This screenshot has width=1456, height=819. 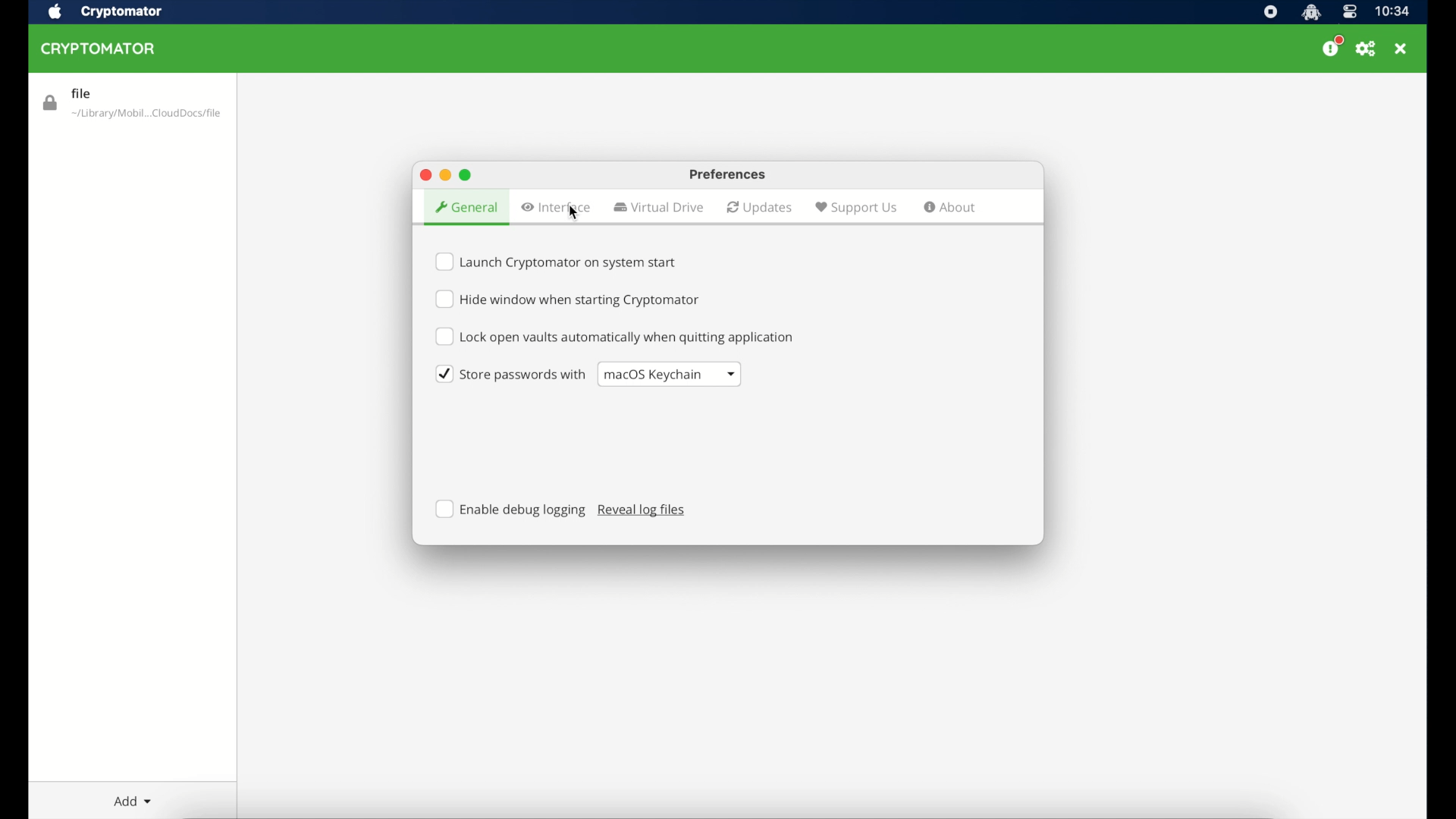 I want to click on maximize, so click(x=425, y=175).